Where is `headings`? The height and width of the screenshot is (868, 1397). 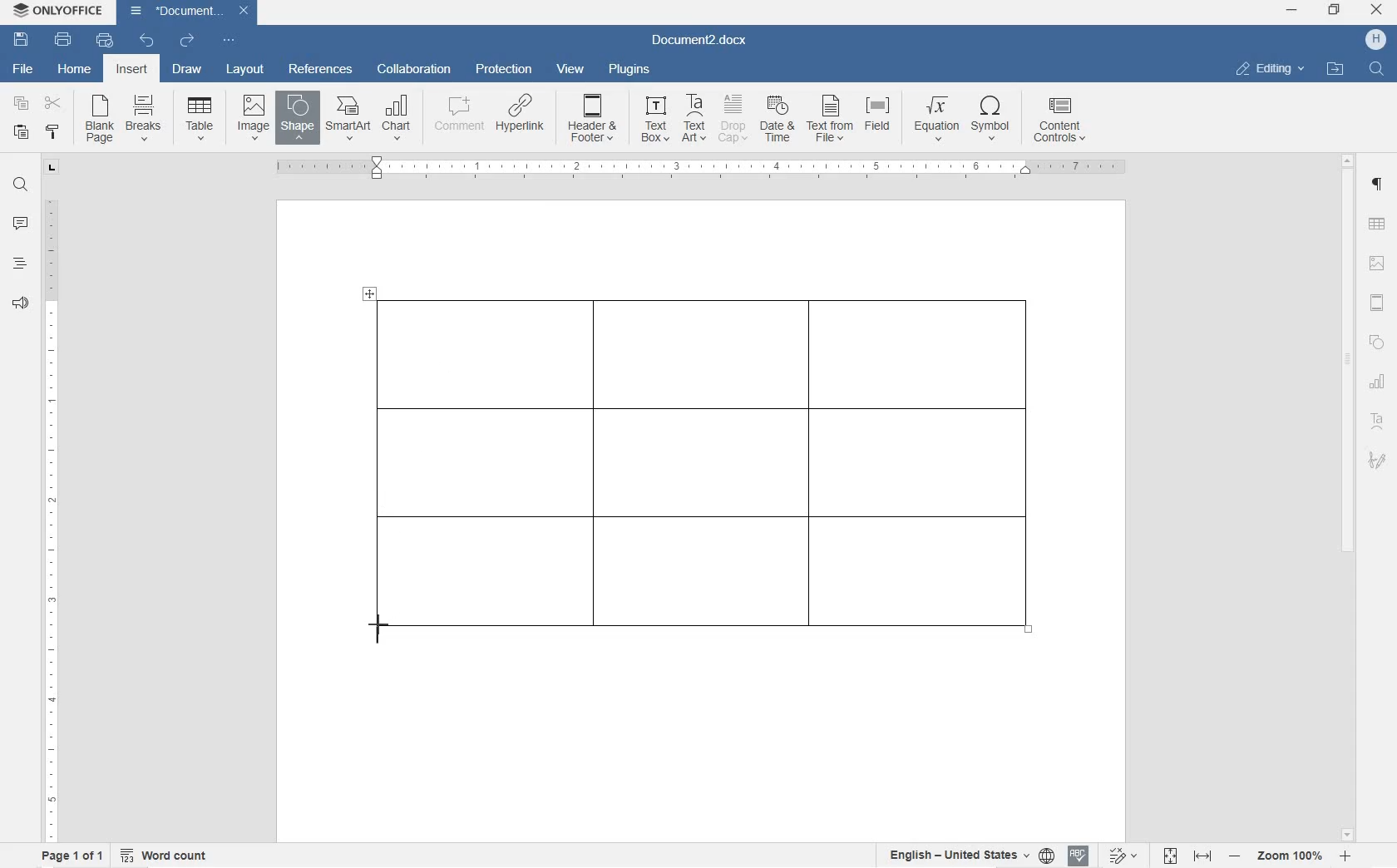 headings is located at coordinates (20, 264).